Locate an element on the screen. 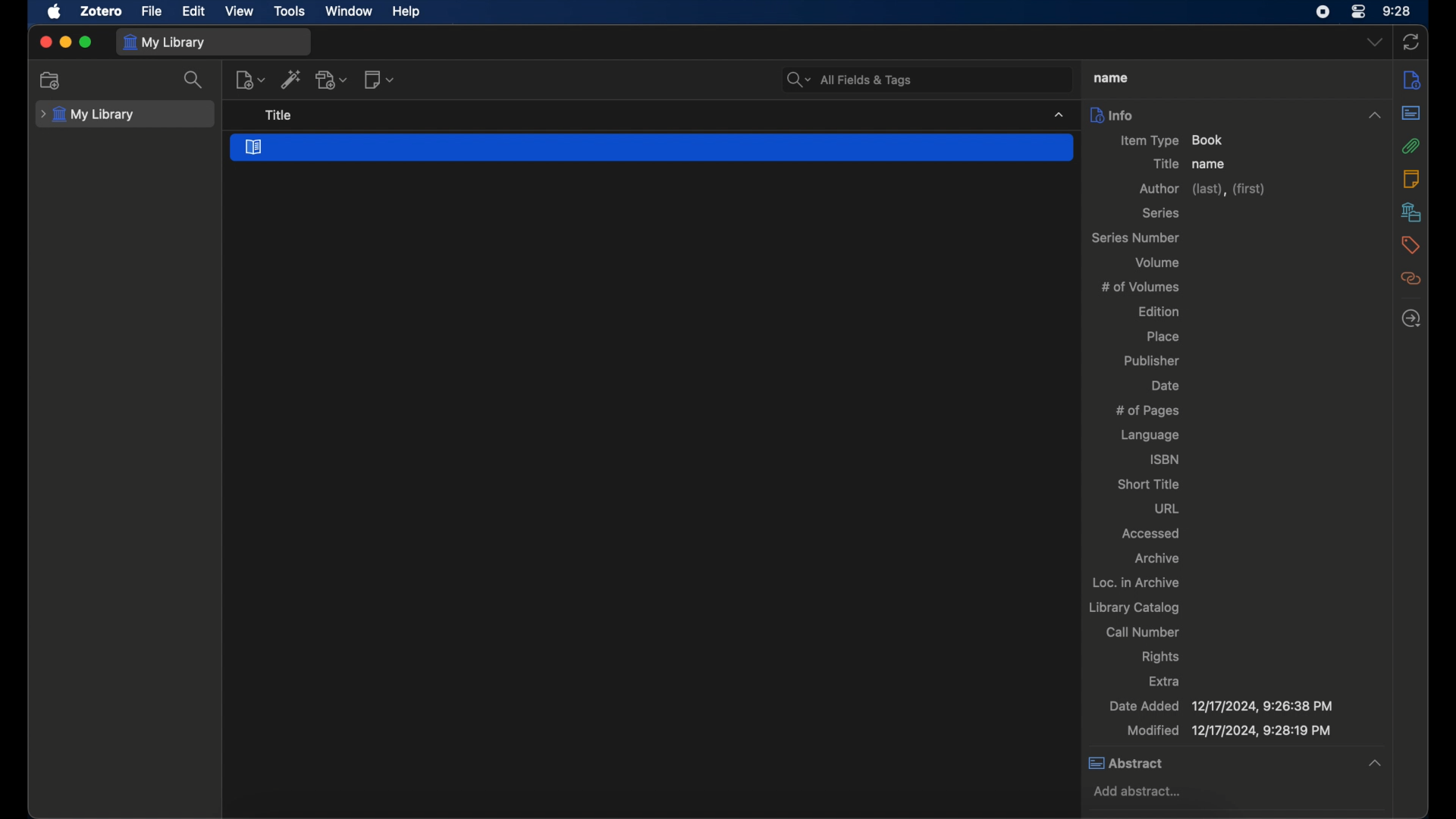 The width and height of the screenshot is (1456, 819). accessed is located at coordinates (1152, 532).